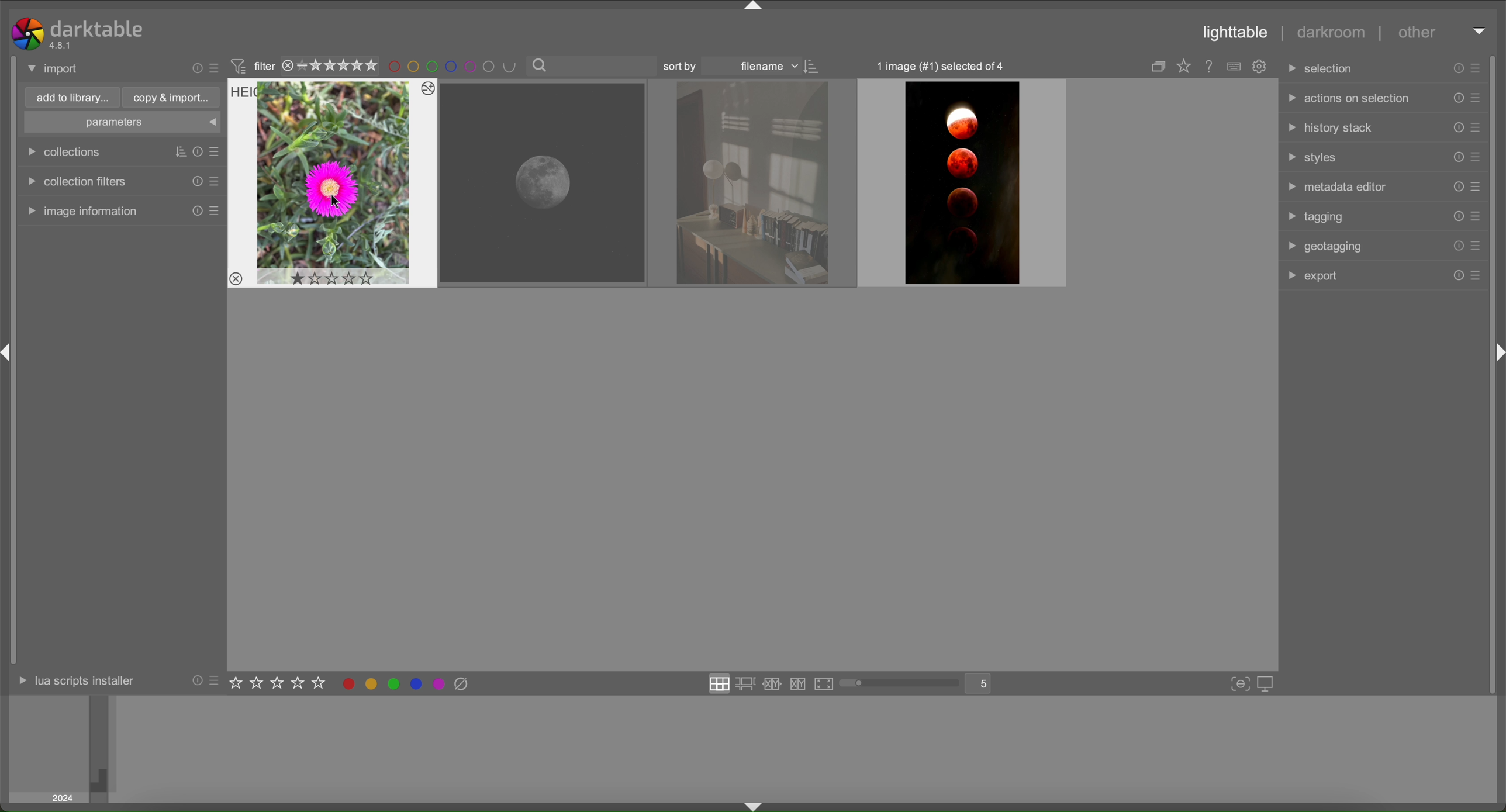  Describe the element at coordinates (61, 45) in the screenshot. I see `version` at that location.